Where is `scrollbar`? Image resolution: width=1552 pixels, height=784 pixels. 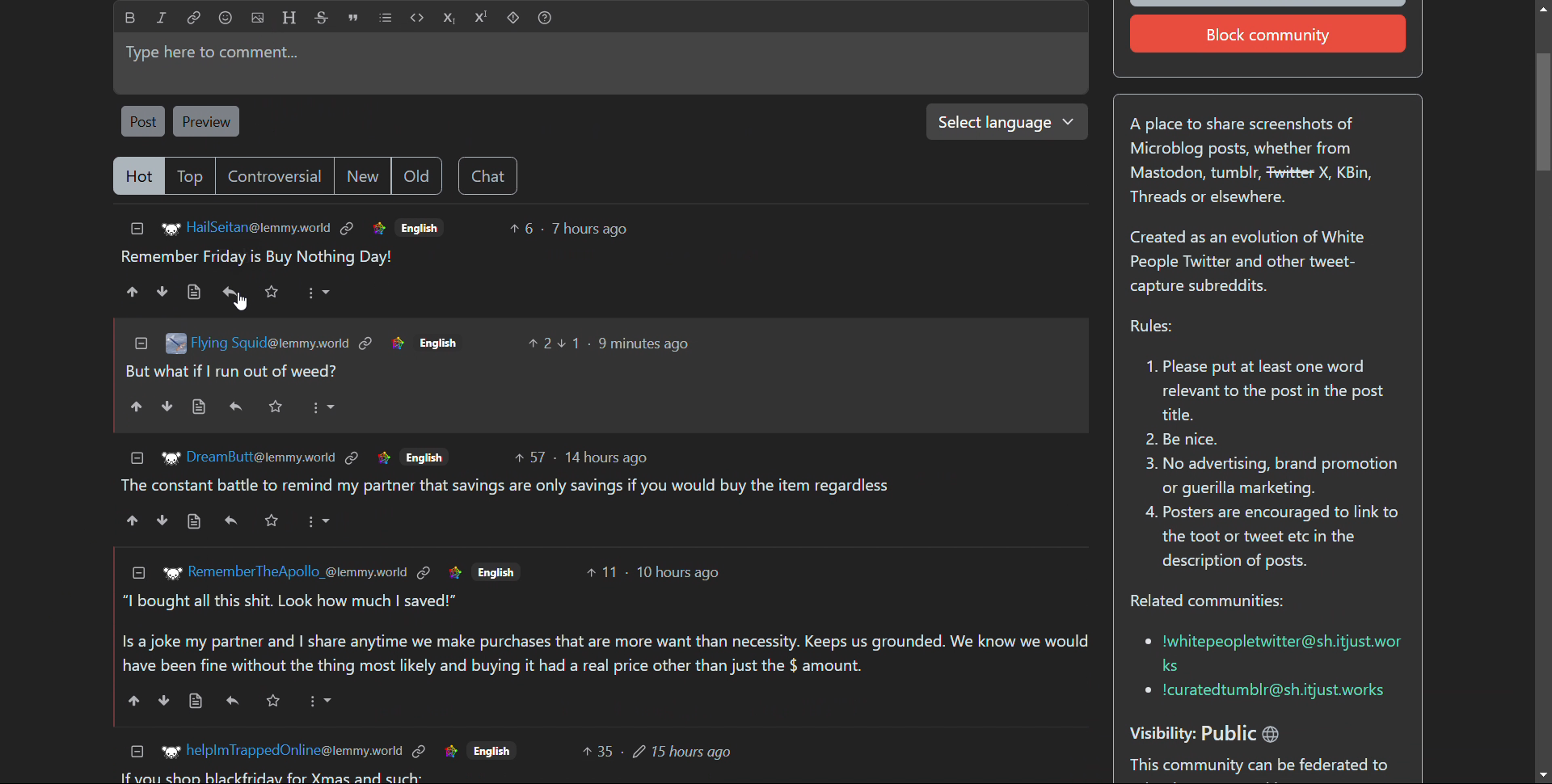
scrollbar is located at coordinates (1541, 386).